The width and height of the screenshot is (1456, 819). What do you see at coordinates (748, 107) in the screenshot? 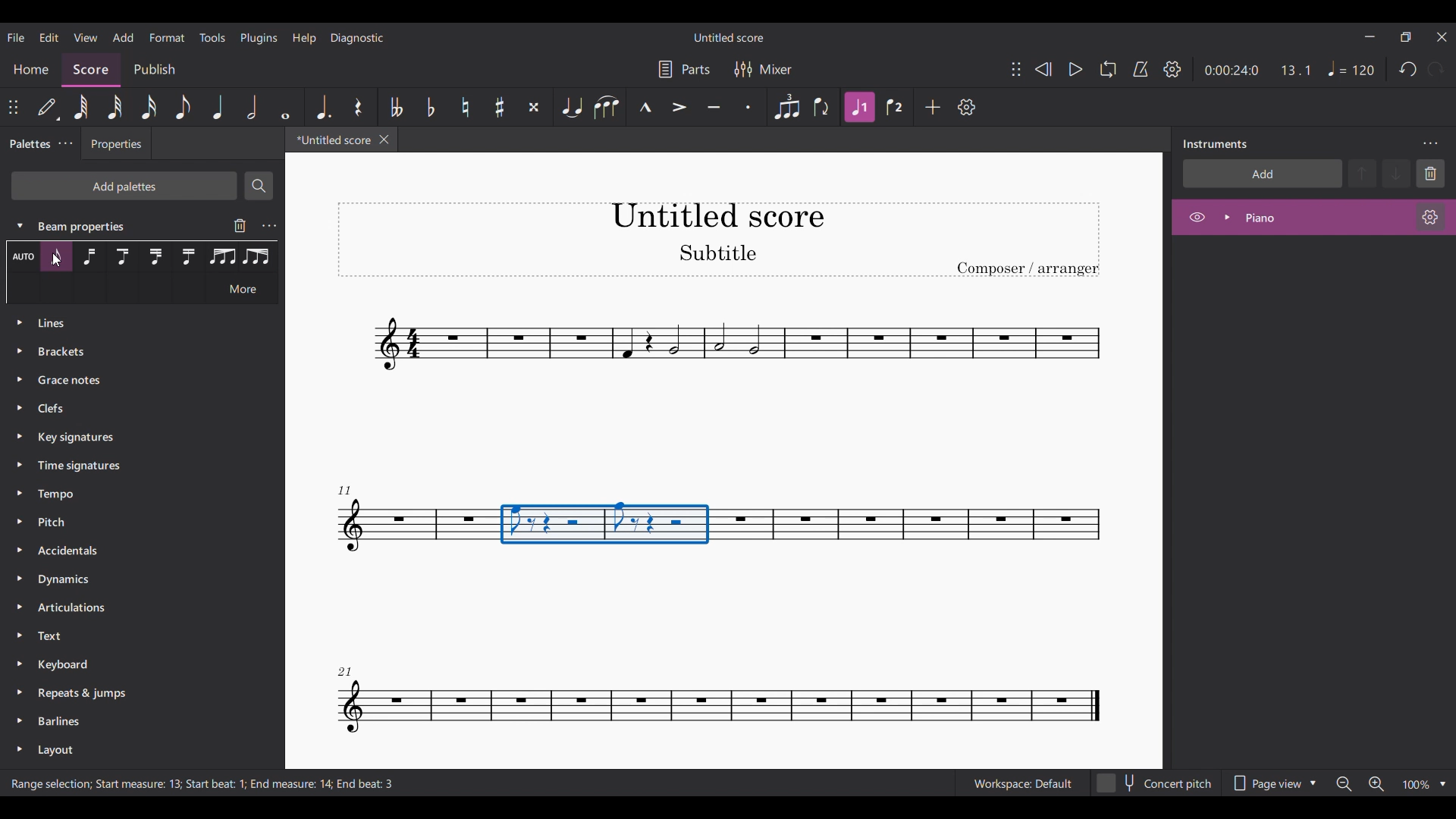
I see `Staccato` at bounding box center [748, 107].